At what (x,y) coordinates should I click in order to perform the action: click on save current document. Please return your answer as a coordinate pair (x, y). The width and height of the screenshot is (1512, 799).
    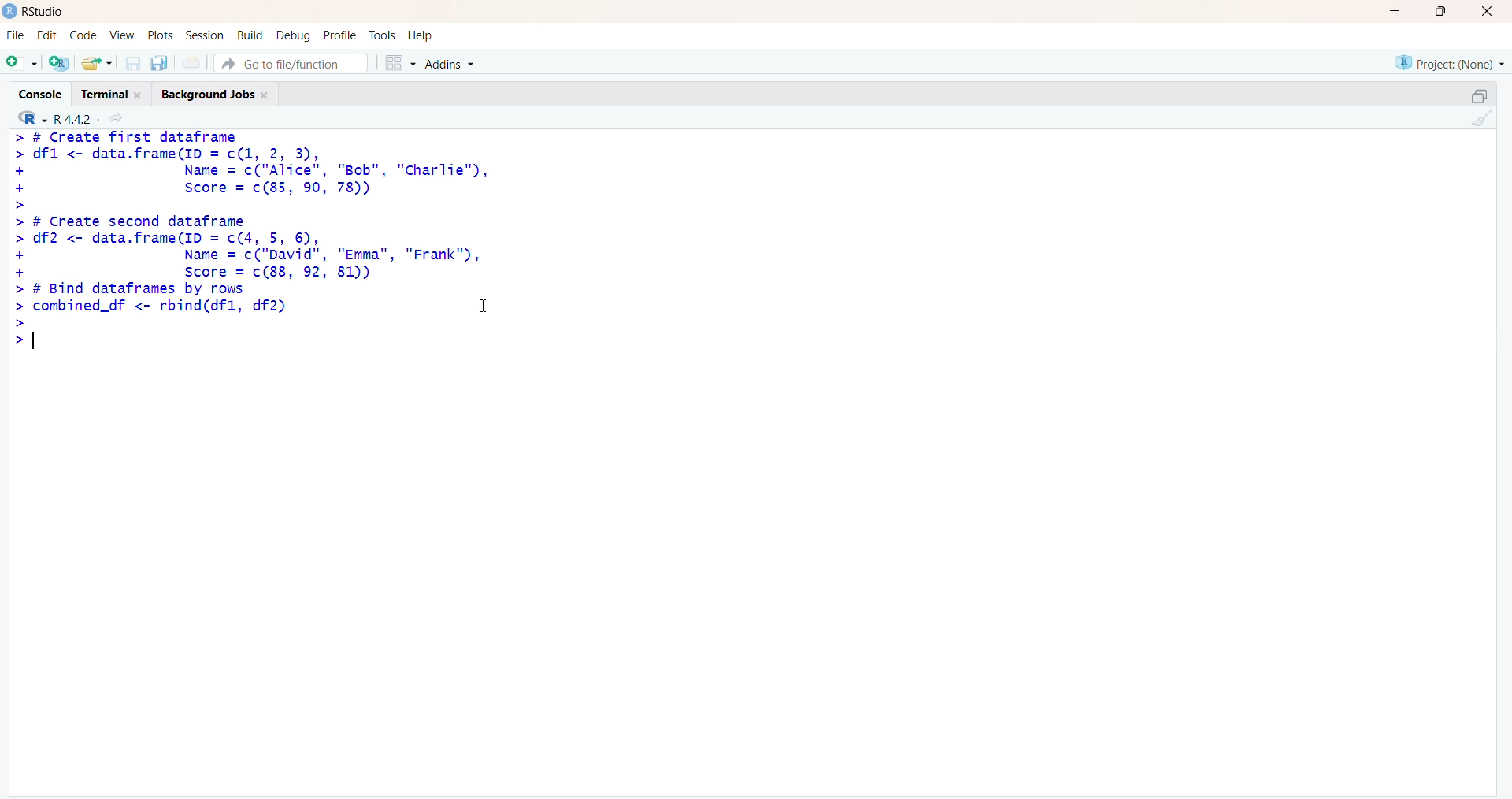
    Looking at the image, I should click on (133, 64).